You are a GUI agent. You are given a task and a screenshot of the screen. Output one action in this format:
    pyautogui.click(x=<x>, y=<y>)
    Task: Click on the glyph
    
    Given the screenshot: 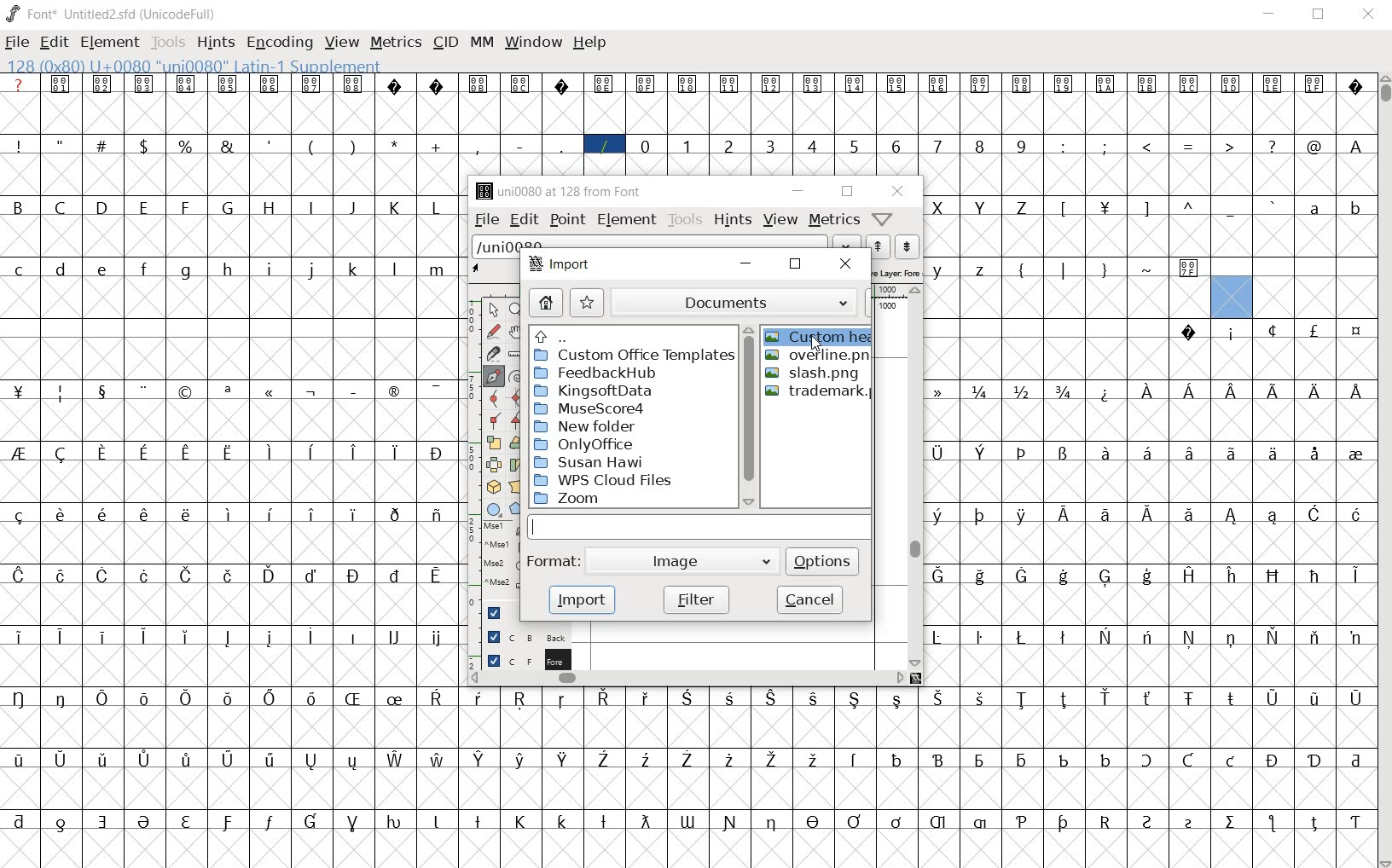 What is the action you would take?
    pyautogui.click(x=270, y=575)
    